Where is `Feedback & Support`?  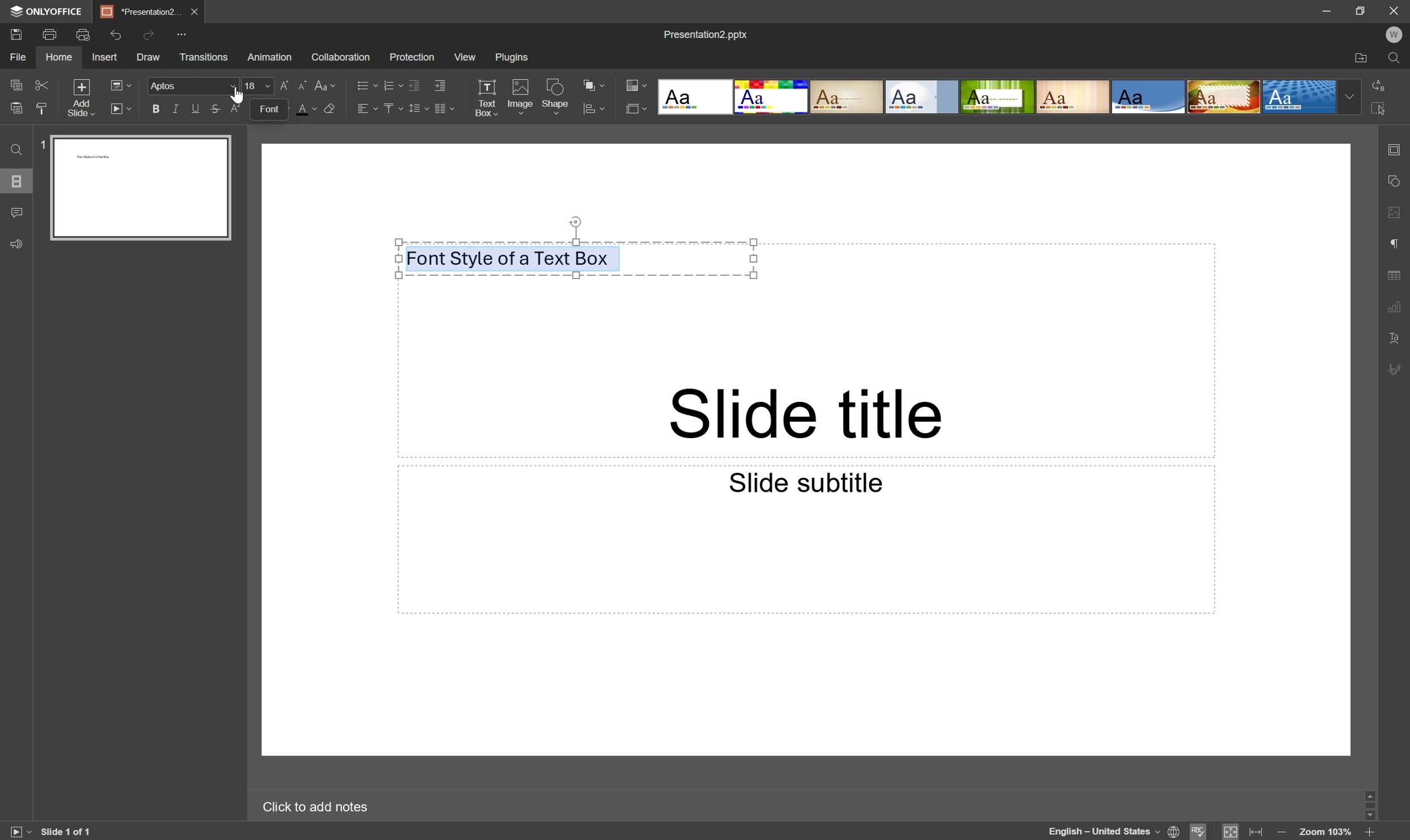 Feedback & Support is located at coordinates (17, 244).